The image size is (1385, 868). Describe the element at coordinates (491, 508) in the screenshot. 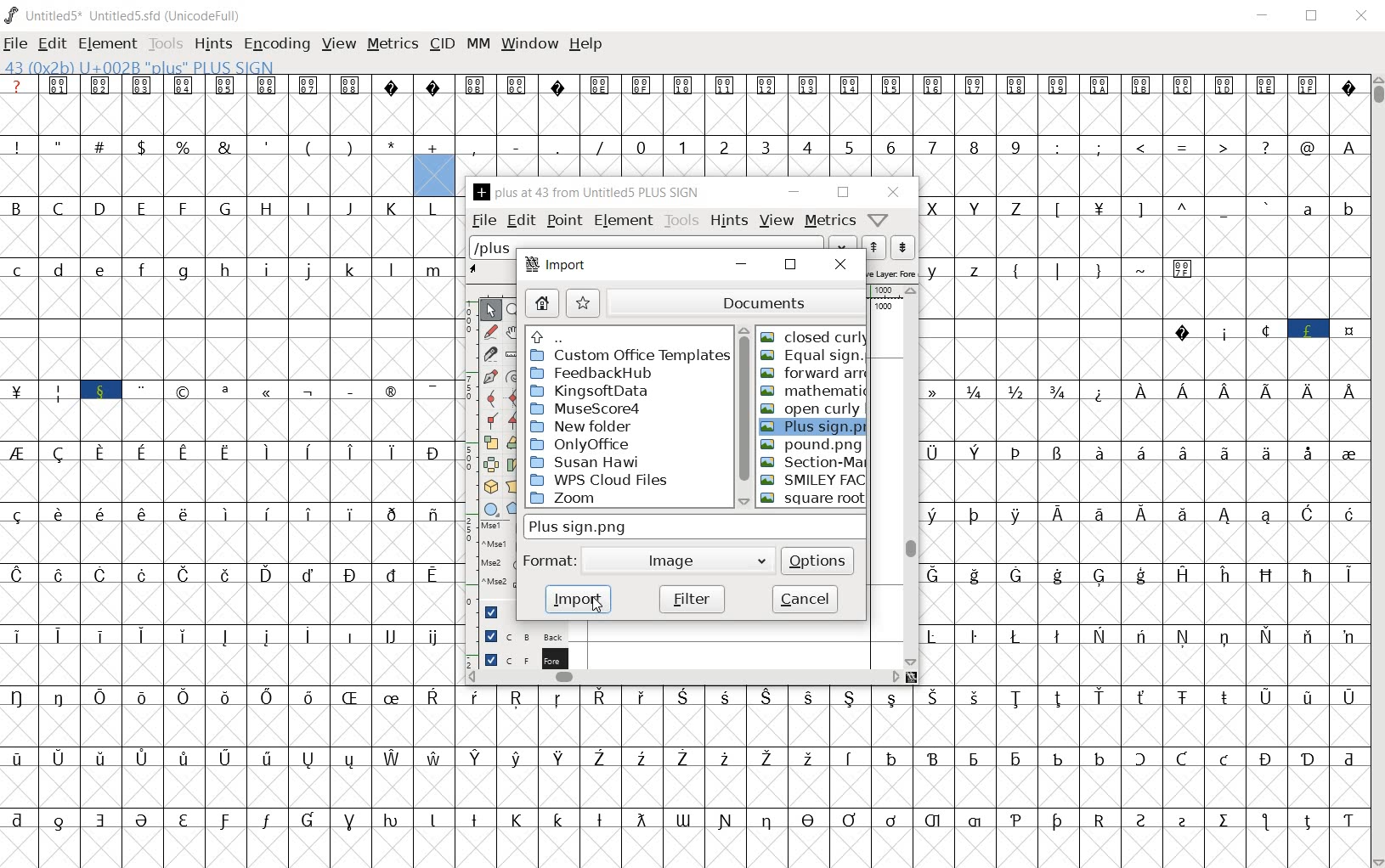

I see `rectangle or ellipse` at that location.